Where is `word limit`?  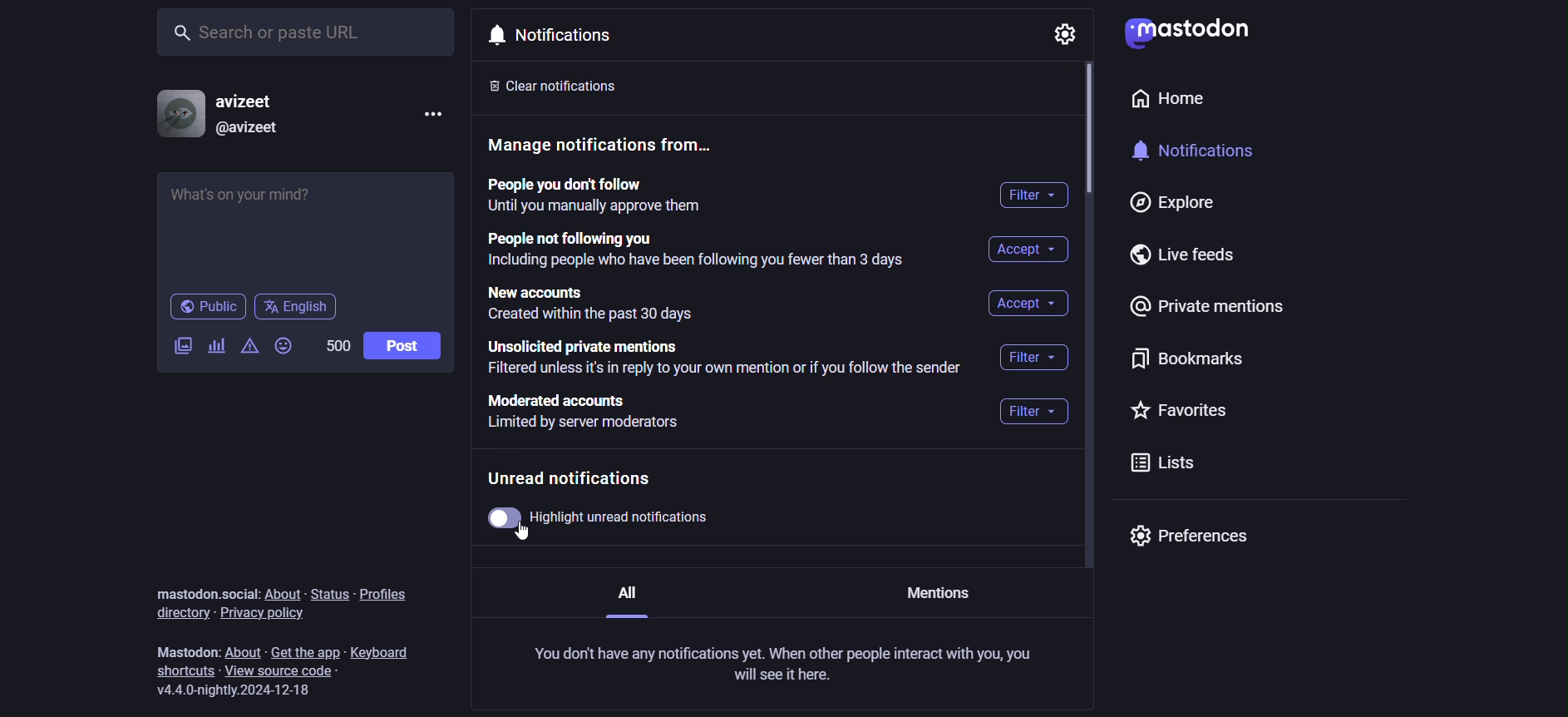
word limit is located at coordinates (338, 344).